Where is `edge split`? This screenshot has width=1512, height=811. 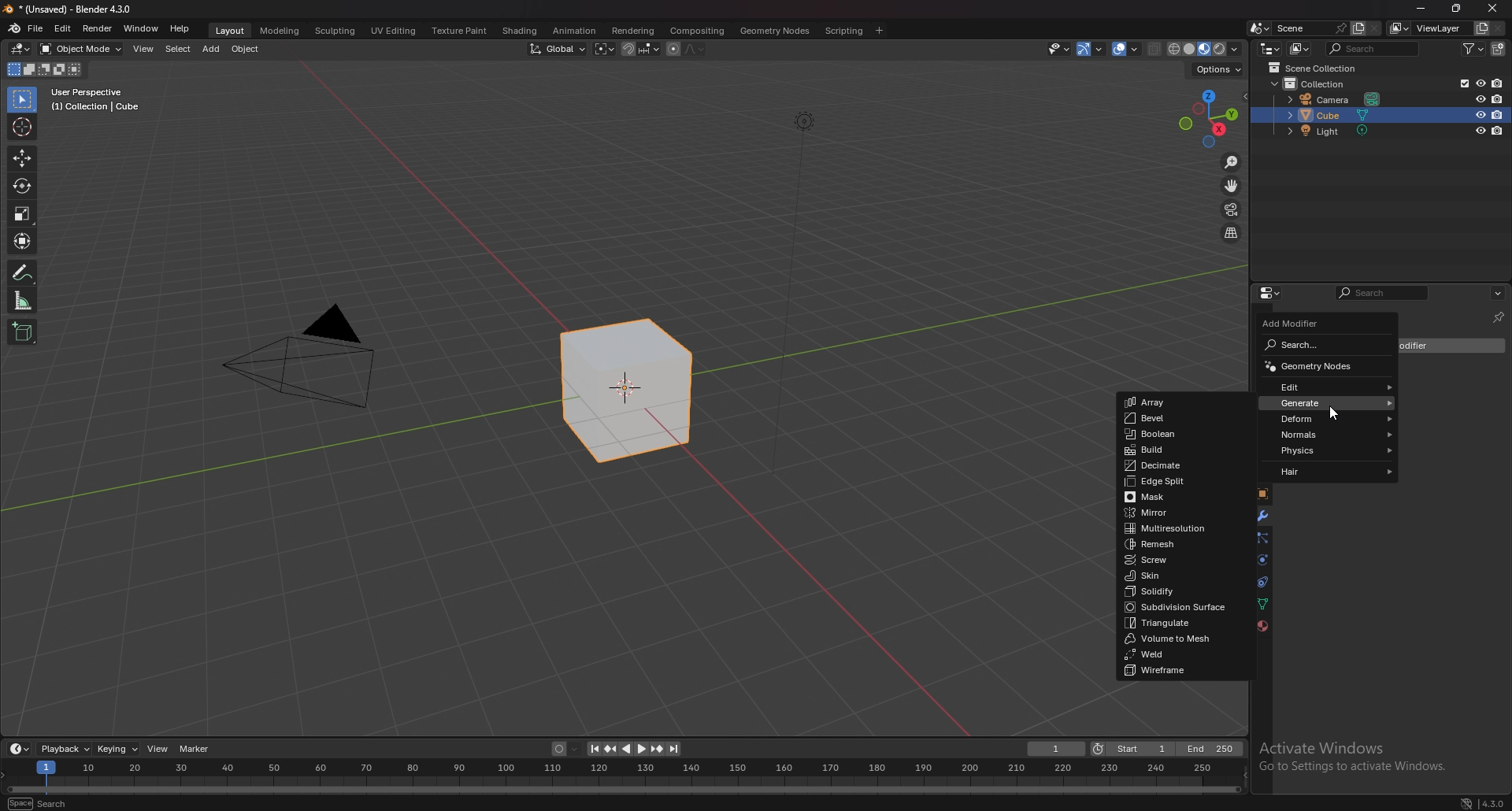 edge split is located at coordinates (1178, 482).